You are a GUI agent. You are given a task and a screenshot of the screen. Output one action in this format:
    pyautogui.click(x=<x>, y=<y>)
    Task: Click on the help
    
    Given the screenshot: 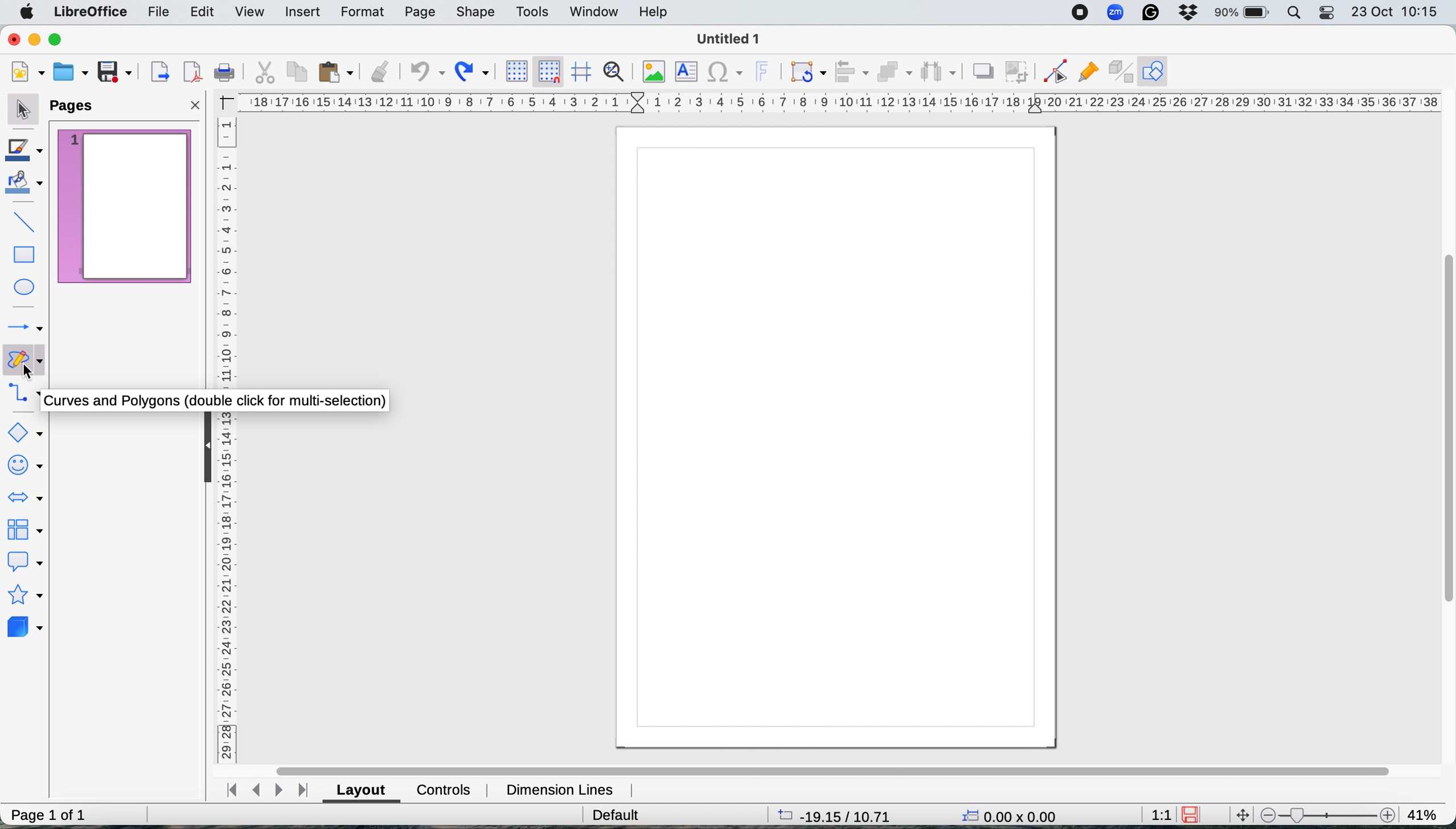 What is the action you would take?
    pyautogui.click(x=657, y=13)
    